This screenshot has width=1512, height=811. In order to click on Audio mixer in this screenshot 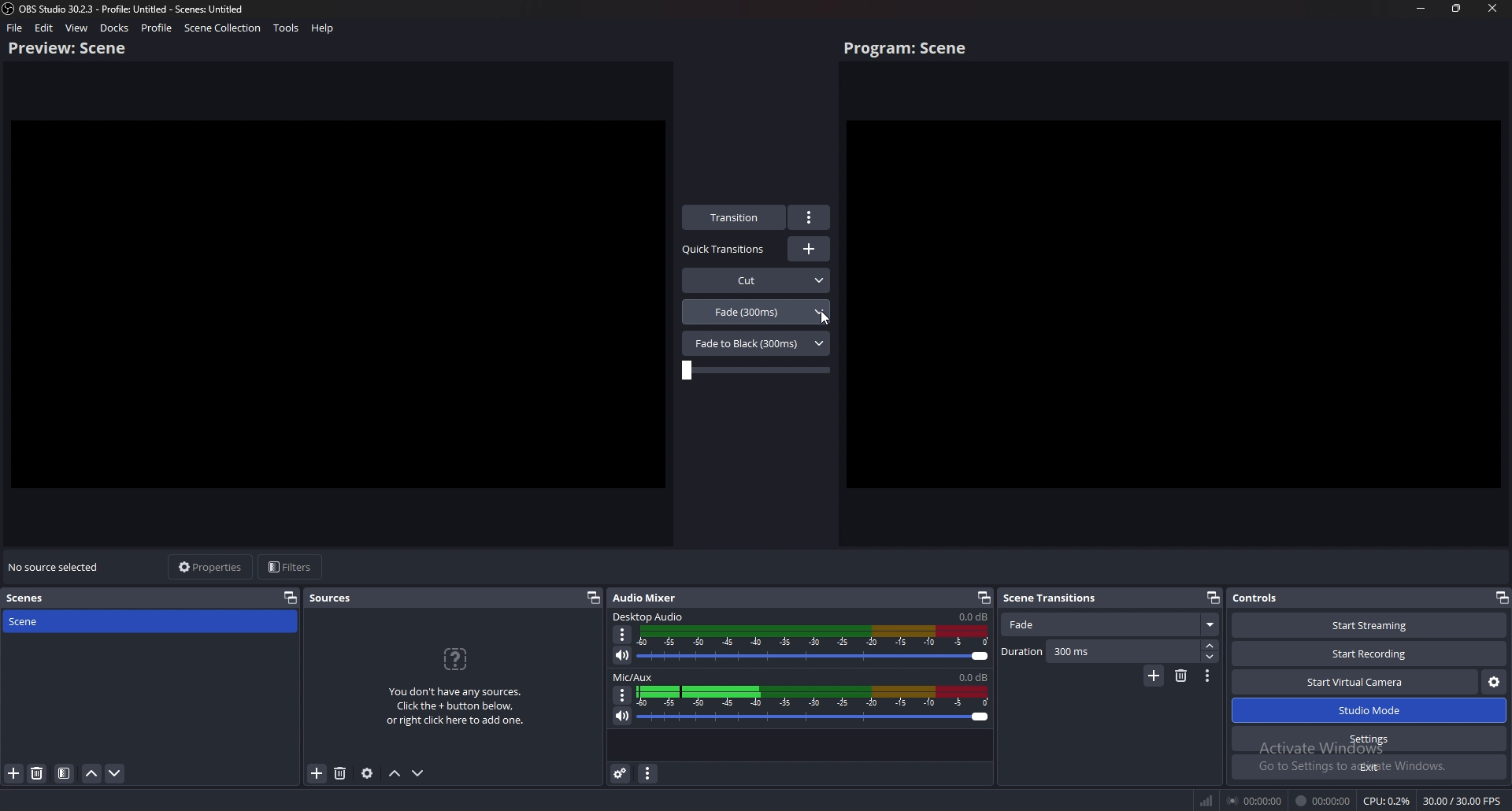, I will do `click(649, 596)`.